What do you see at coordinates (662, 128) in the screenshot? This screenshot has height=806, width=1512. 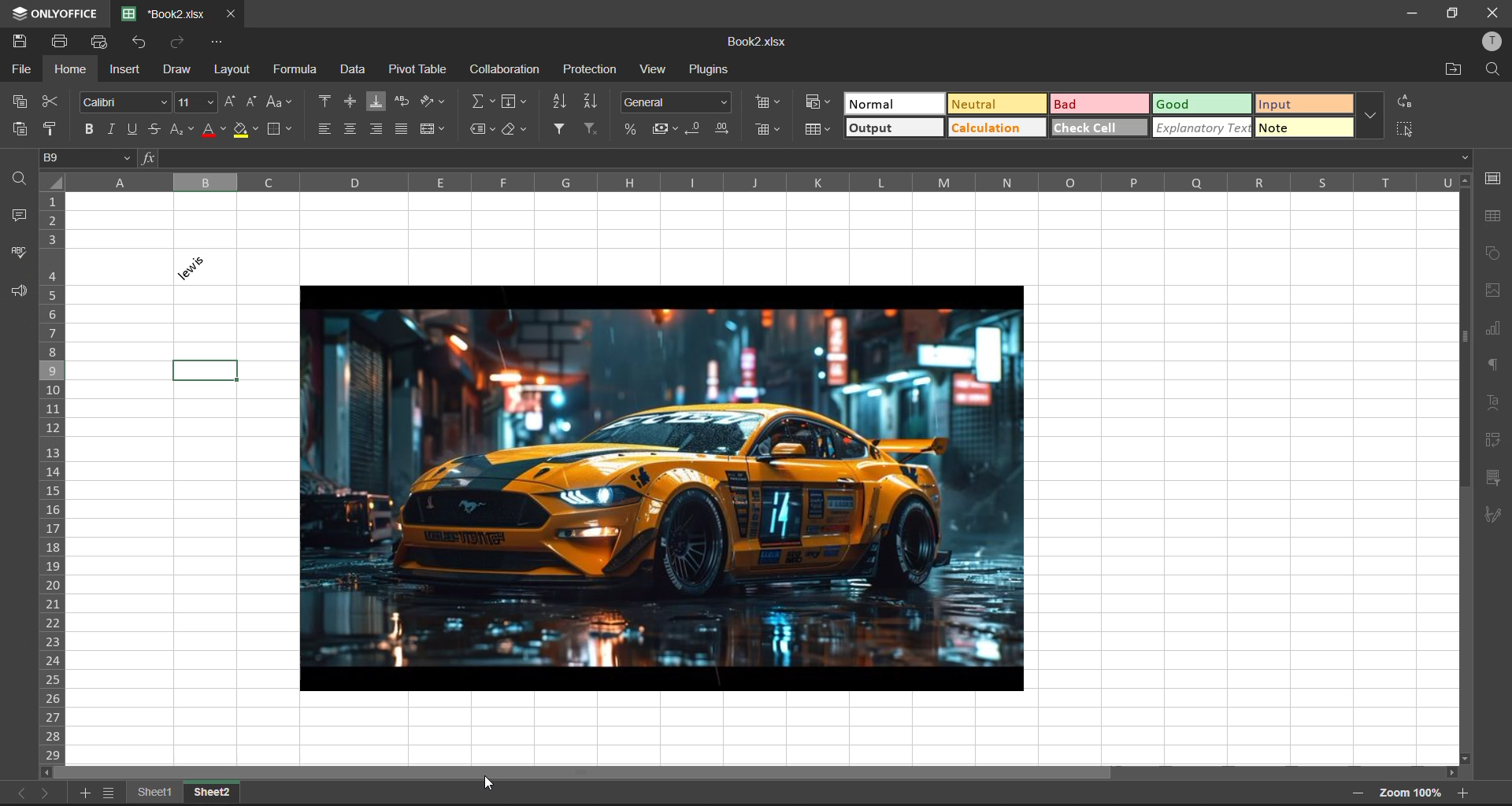 I see `accounting` at bounding box center [662, 128].